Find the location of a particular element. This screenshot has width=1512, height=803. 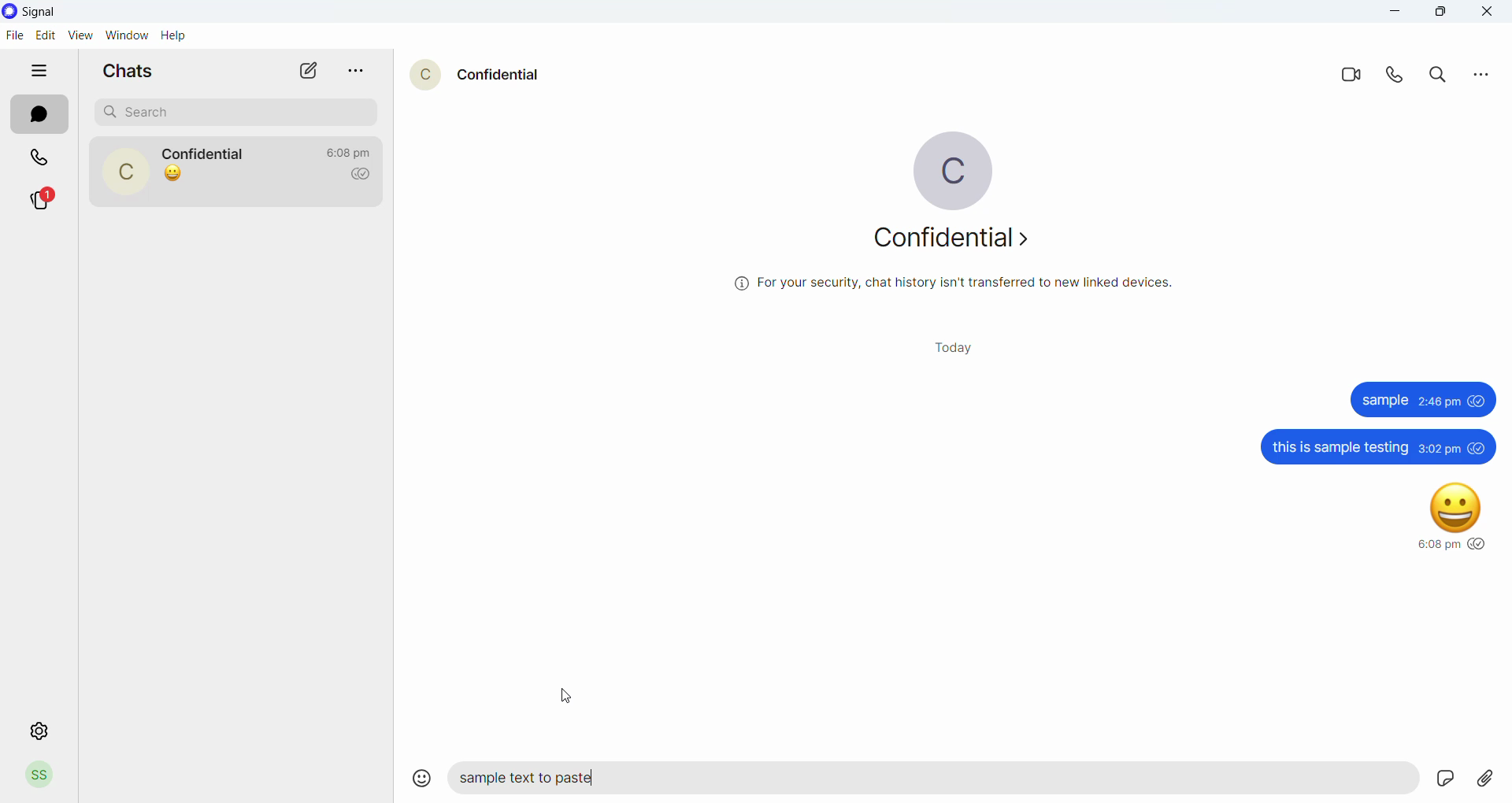

chats is located at coordinates (133, 70).